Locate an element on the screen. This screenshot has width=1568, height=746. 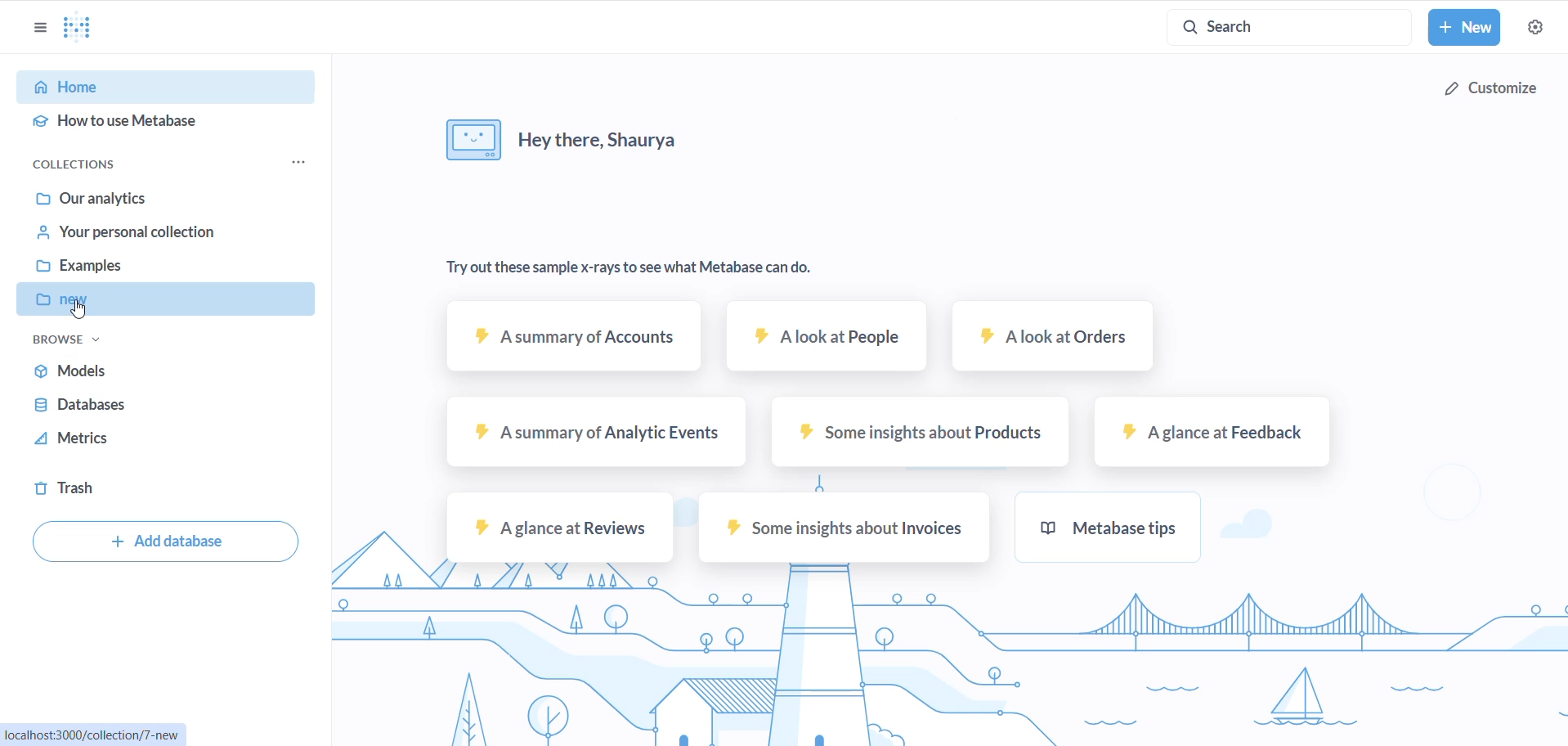
how to use metabase is located at coordinates (155, 125).